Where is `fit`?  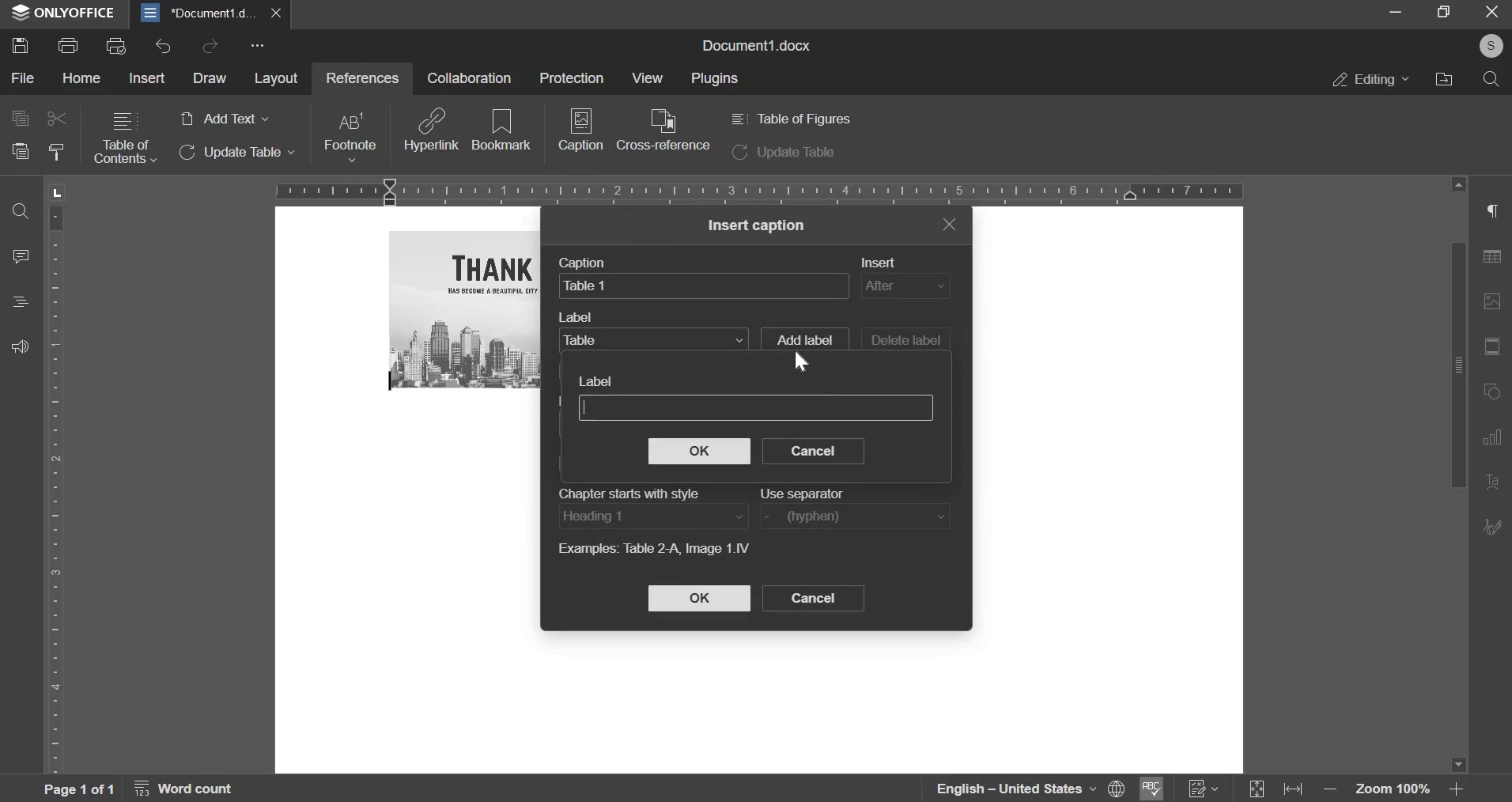
fit is located at coordinates (1297, 791).